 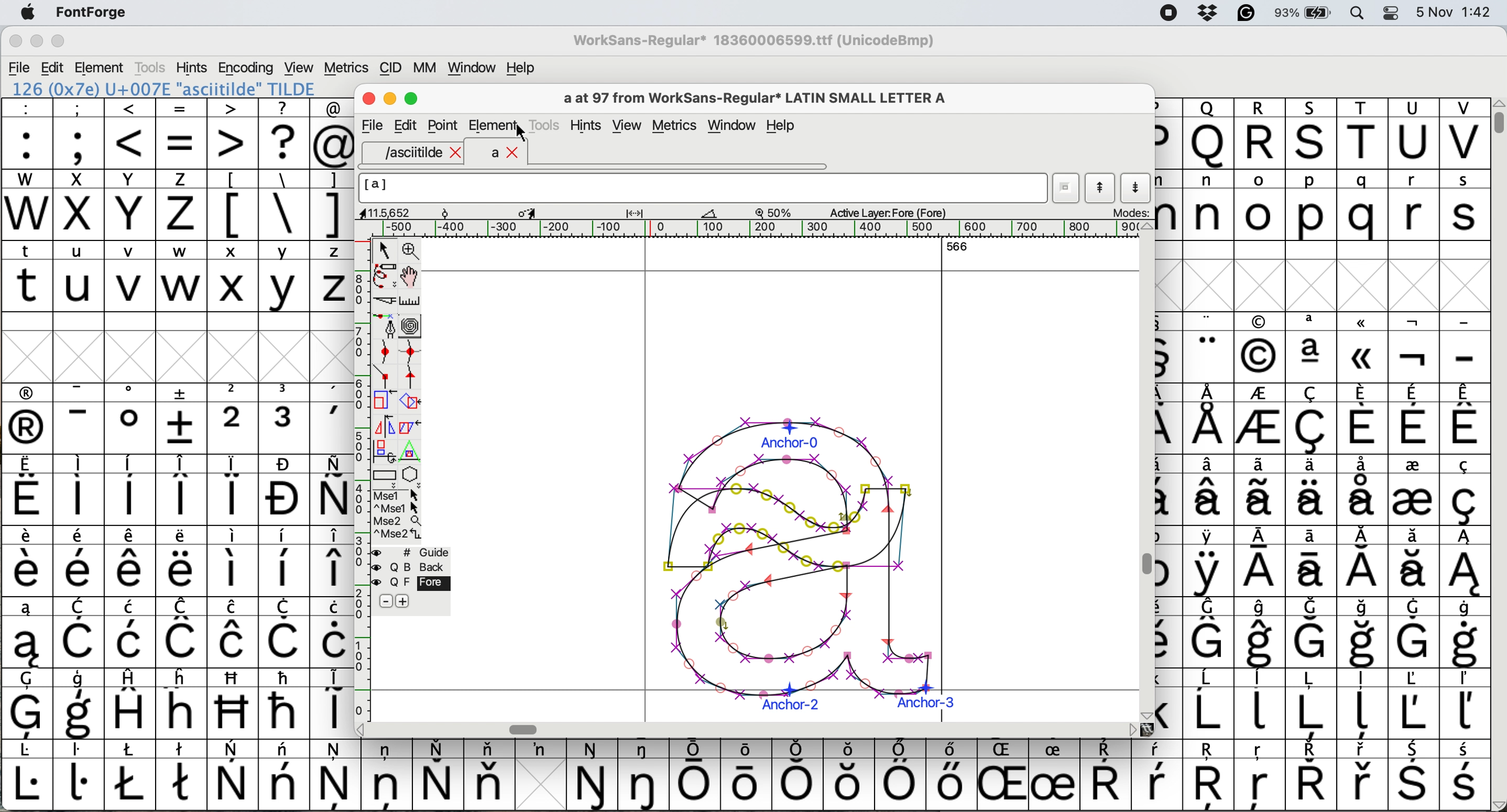 I want to click on symbol, so click(x=331, y=490).